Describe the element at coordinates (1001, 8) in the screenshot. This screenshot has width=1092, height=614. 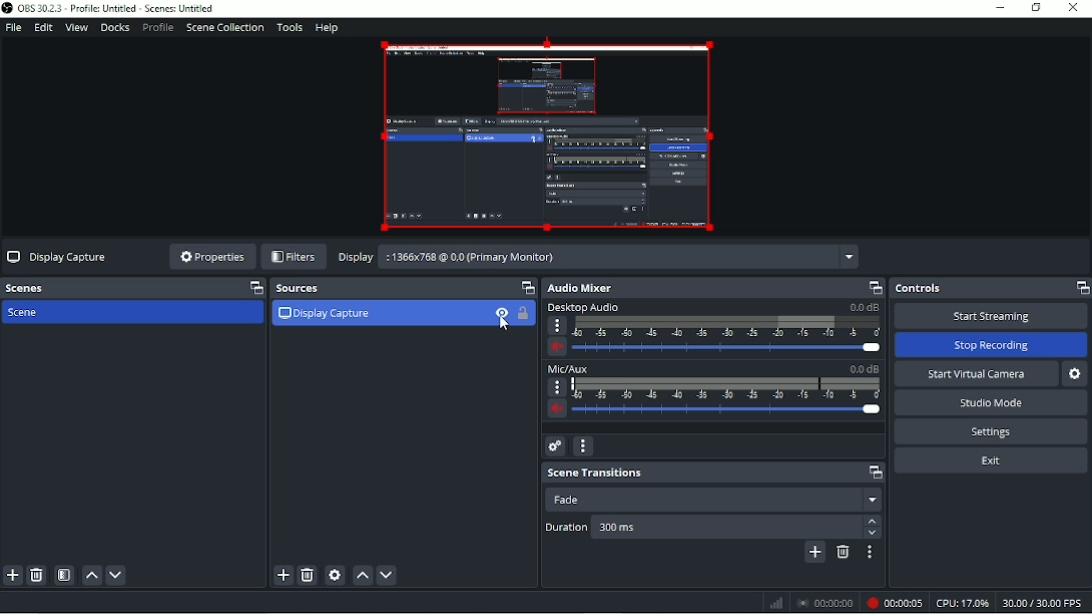
I see `Minimize` at that location.